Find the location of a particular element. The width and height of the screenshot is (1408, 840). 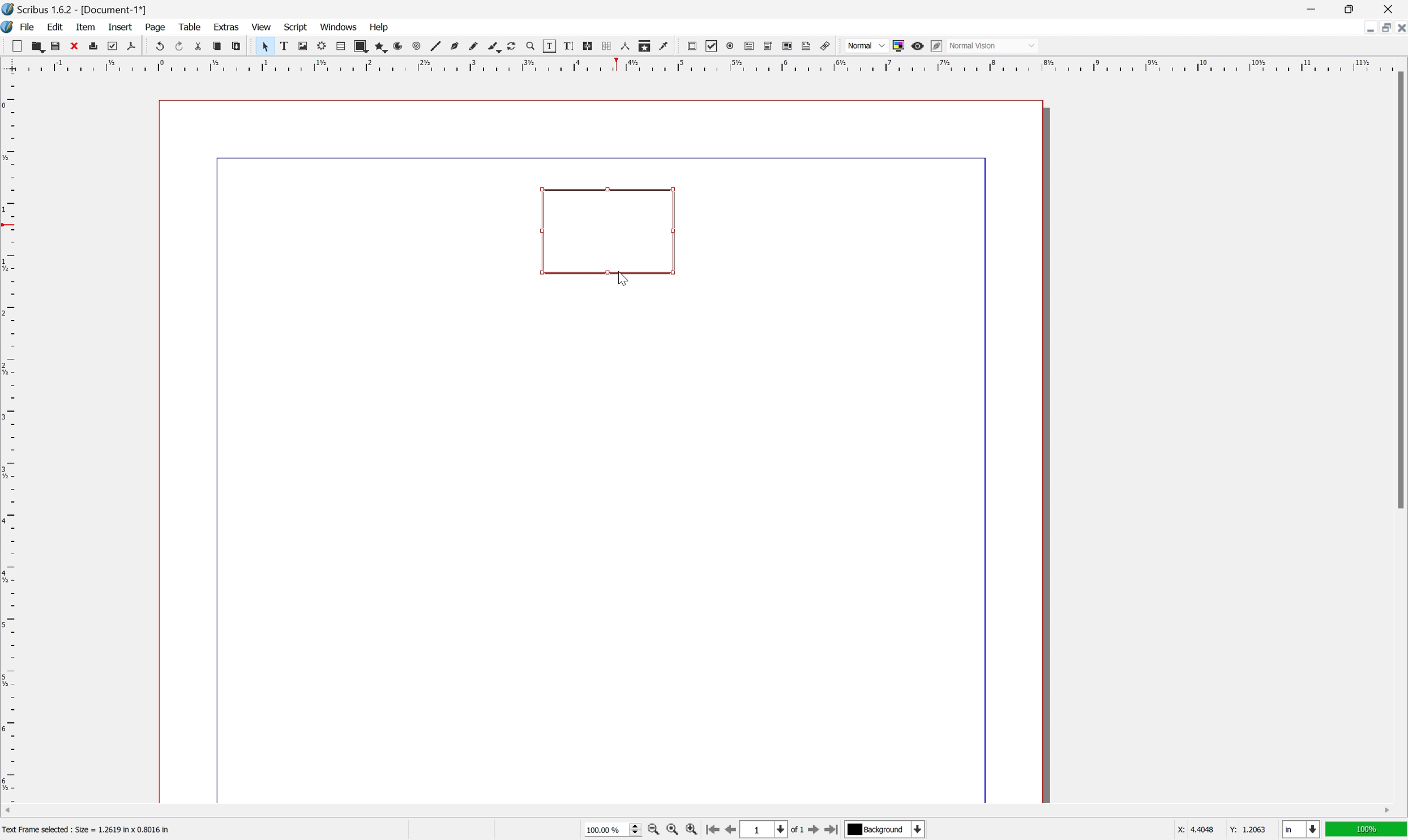

normal is located at coordinates (866, 45).